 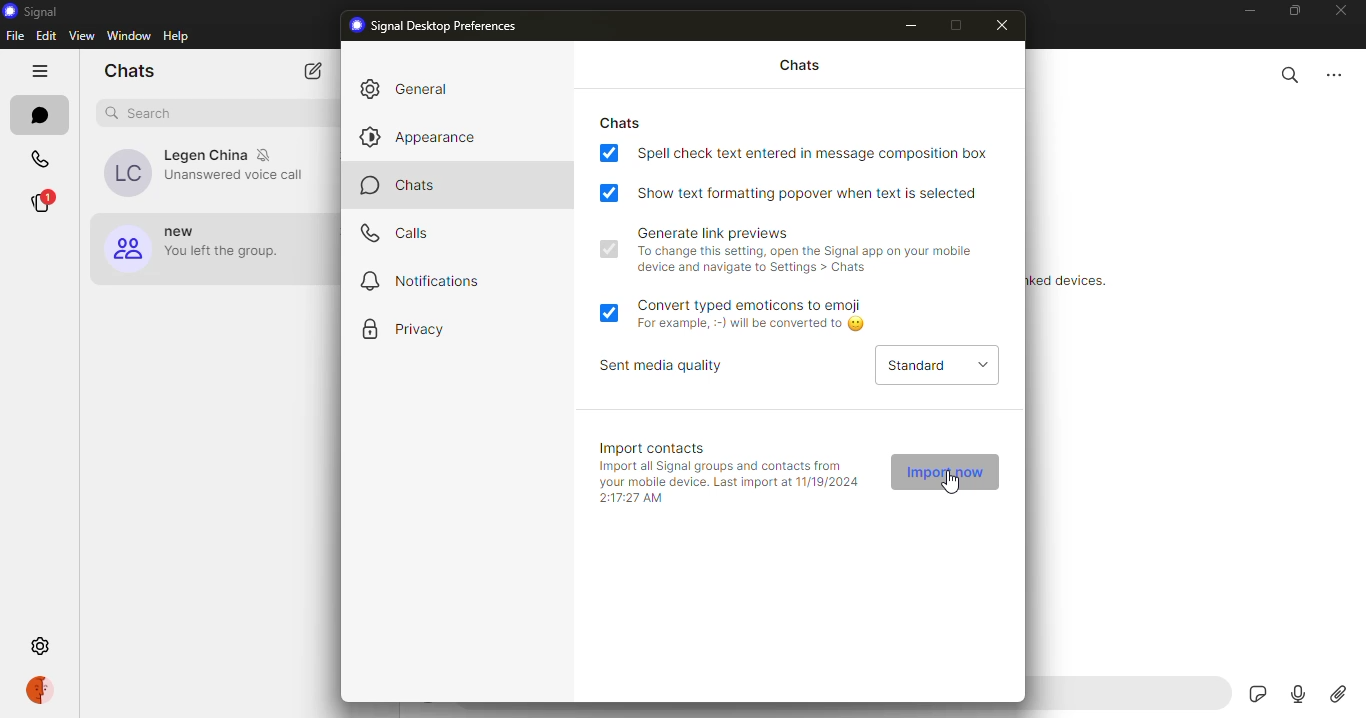 I want to click on hide tabs, so click(x=38, y=69).